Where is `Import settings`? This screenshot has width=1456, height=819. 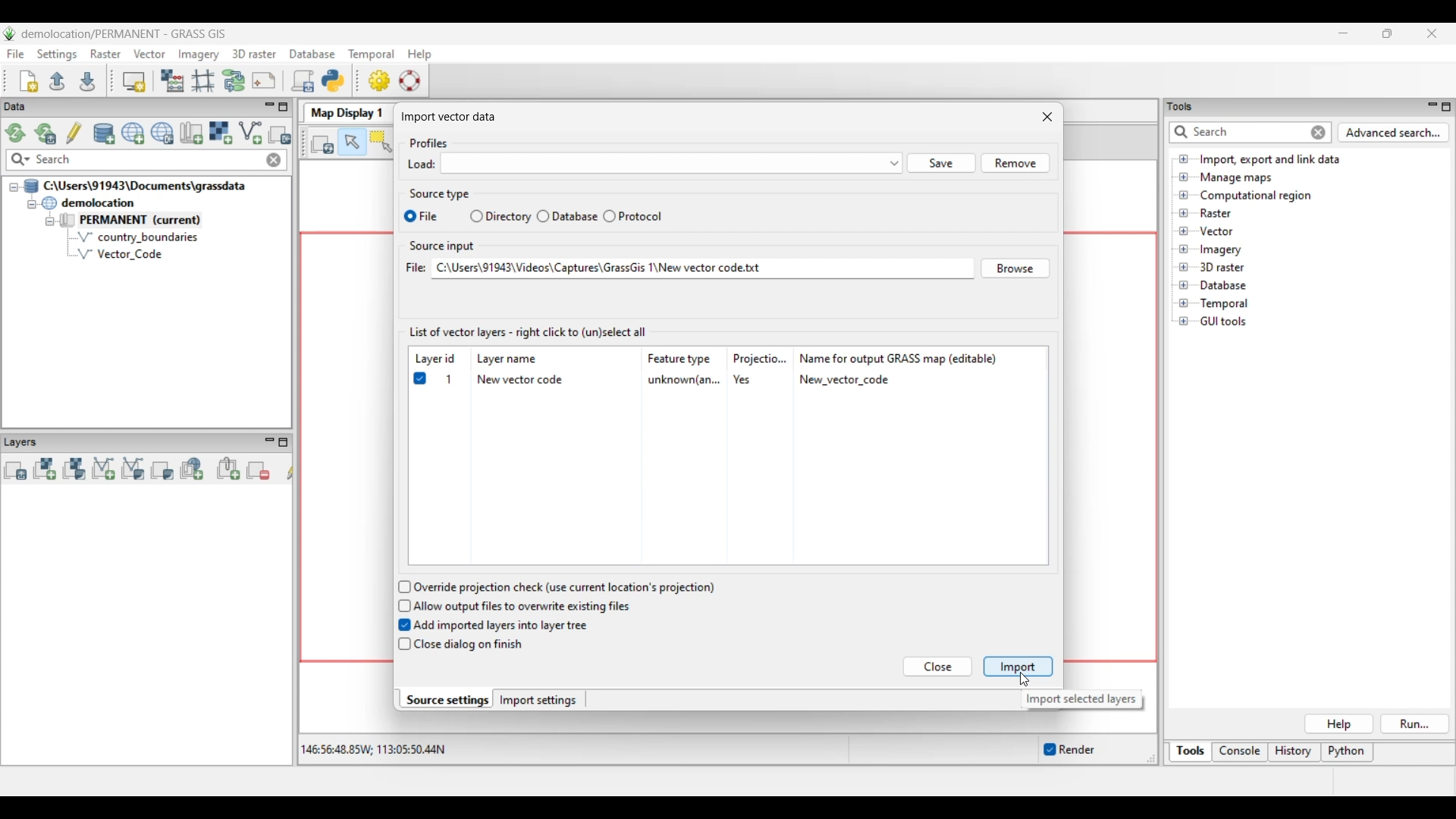 Import settings is located at coordinates (538, 700).